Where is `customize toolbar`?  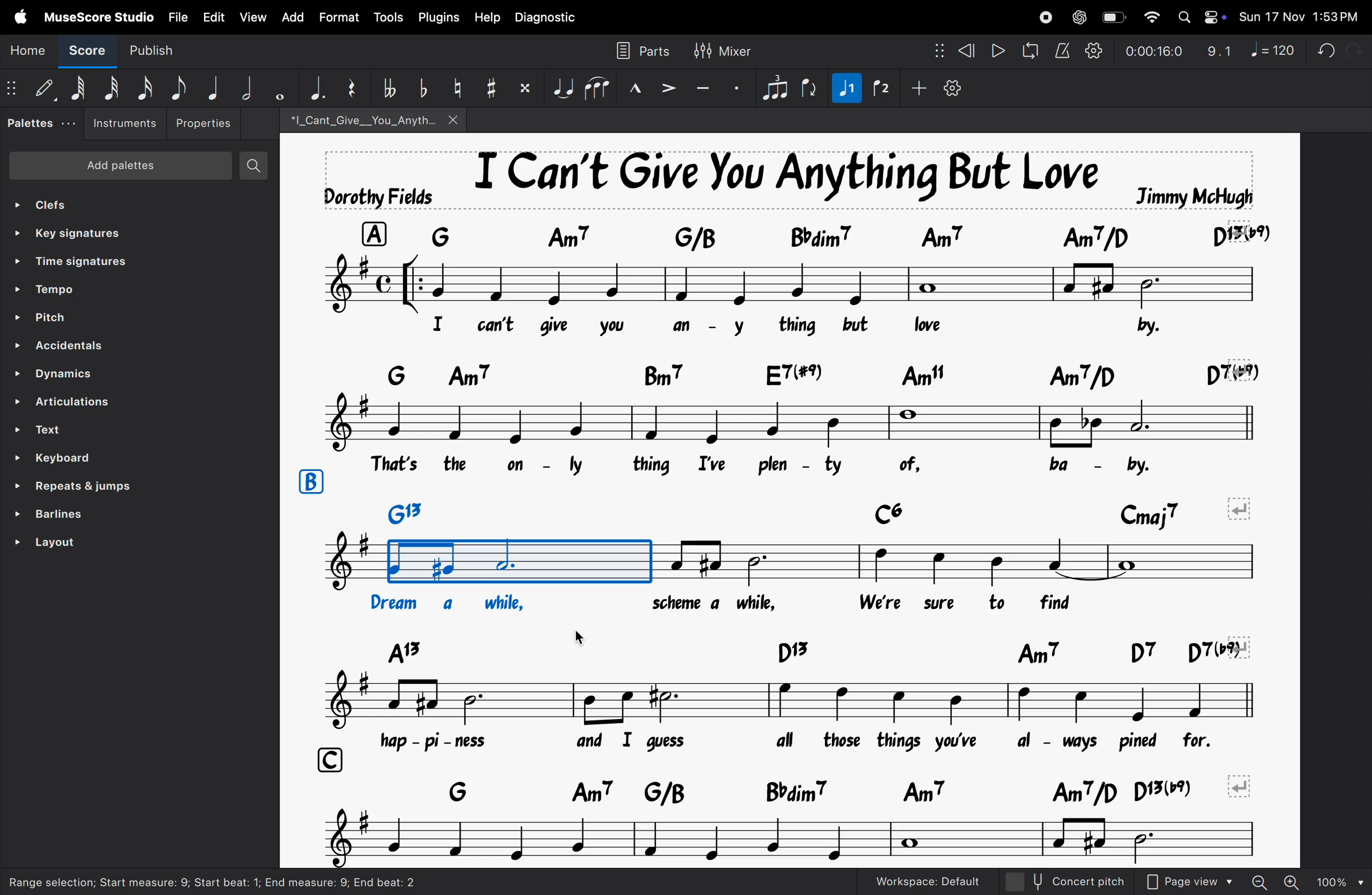
customize toolbar is located at coordinates (959, 87).